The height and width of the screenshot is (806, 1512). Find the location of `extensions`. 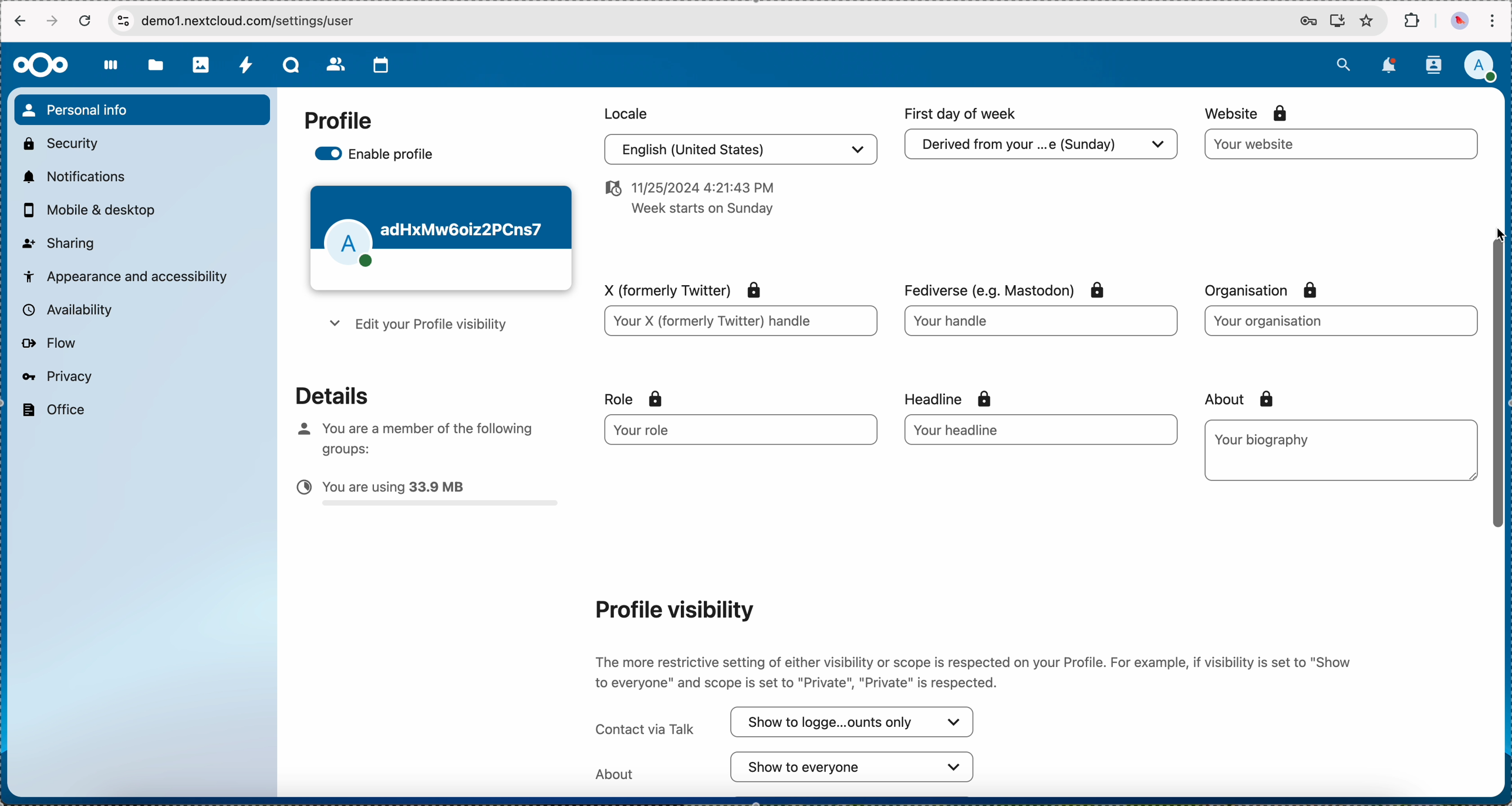

extensions is located at coordinates (1413, 21).